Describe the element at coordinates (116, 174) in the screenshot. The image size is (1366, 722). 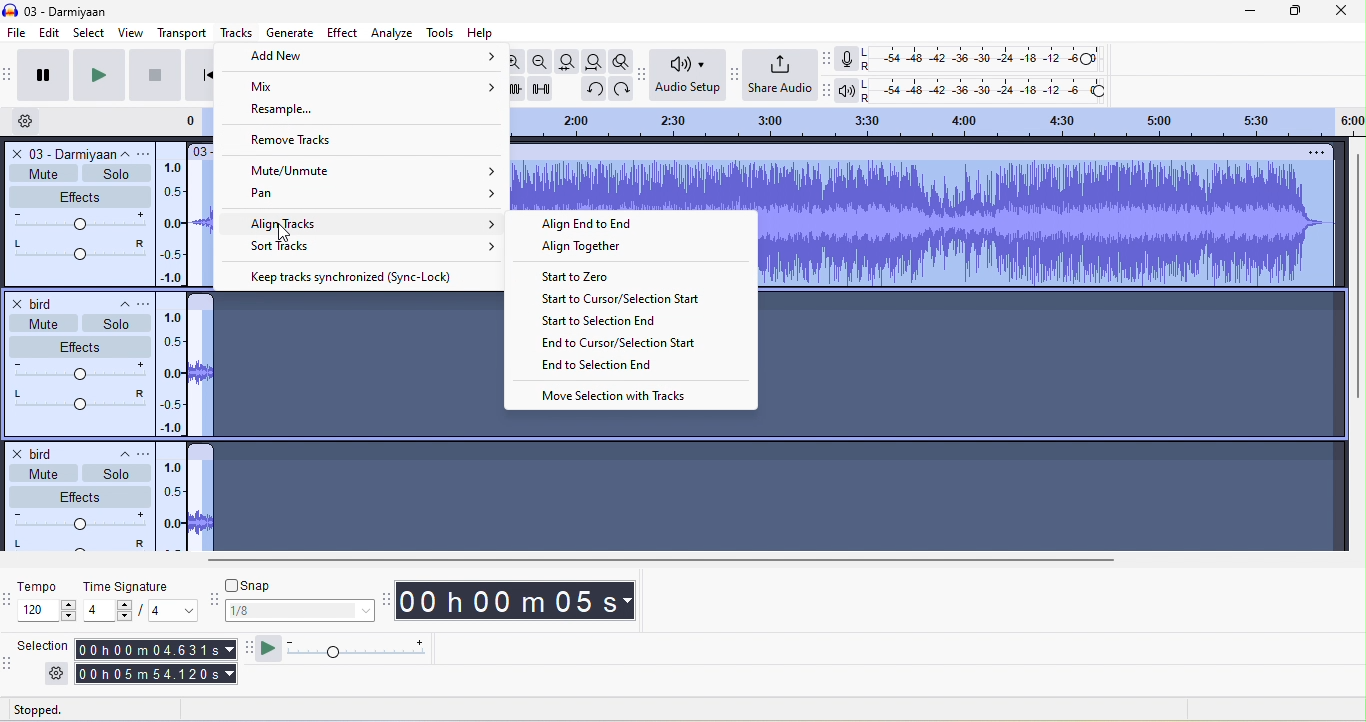
I see `solo` at that location.